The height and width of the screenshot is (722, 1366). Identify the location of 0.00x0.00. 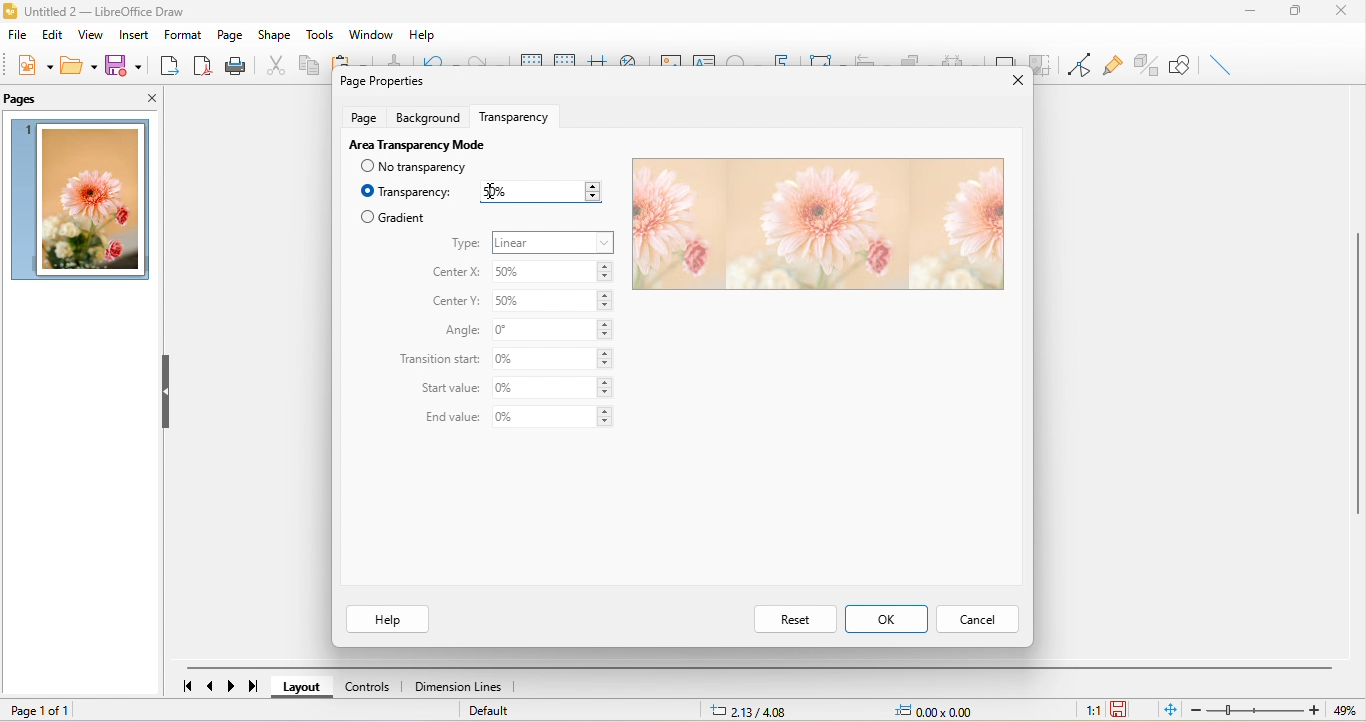
(943, 711).